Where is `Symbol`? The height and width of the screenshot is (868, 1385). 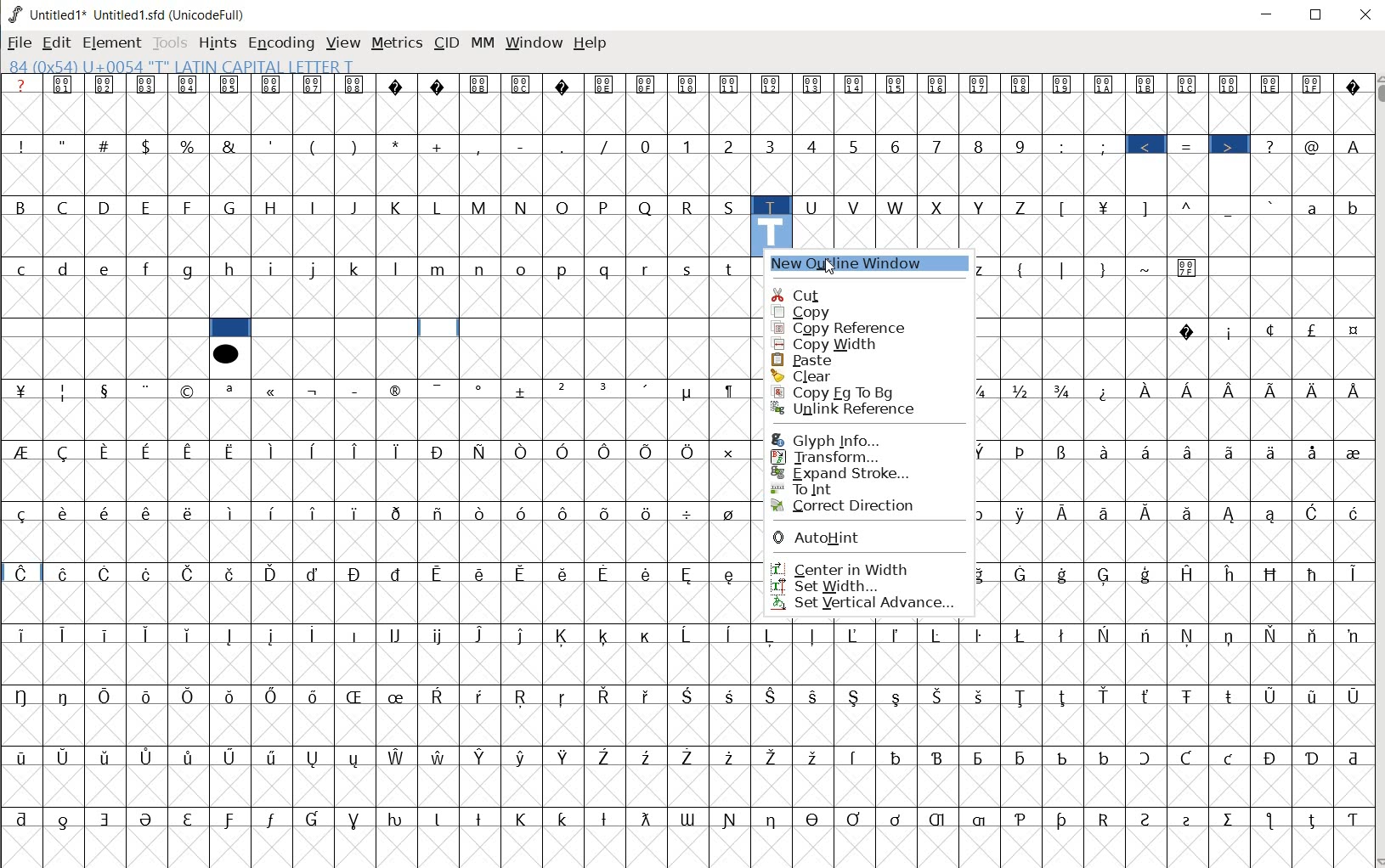
Symbol is located at coordinates (731, 513).